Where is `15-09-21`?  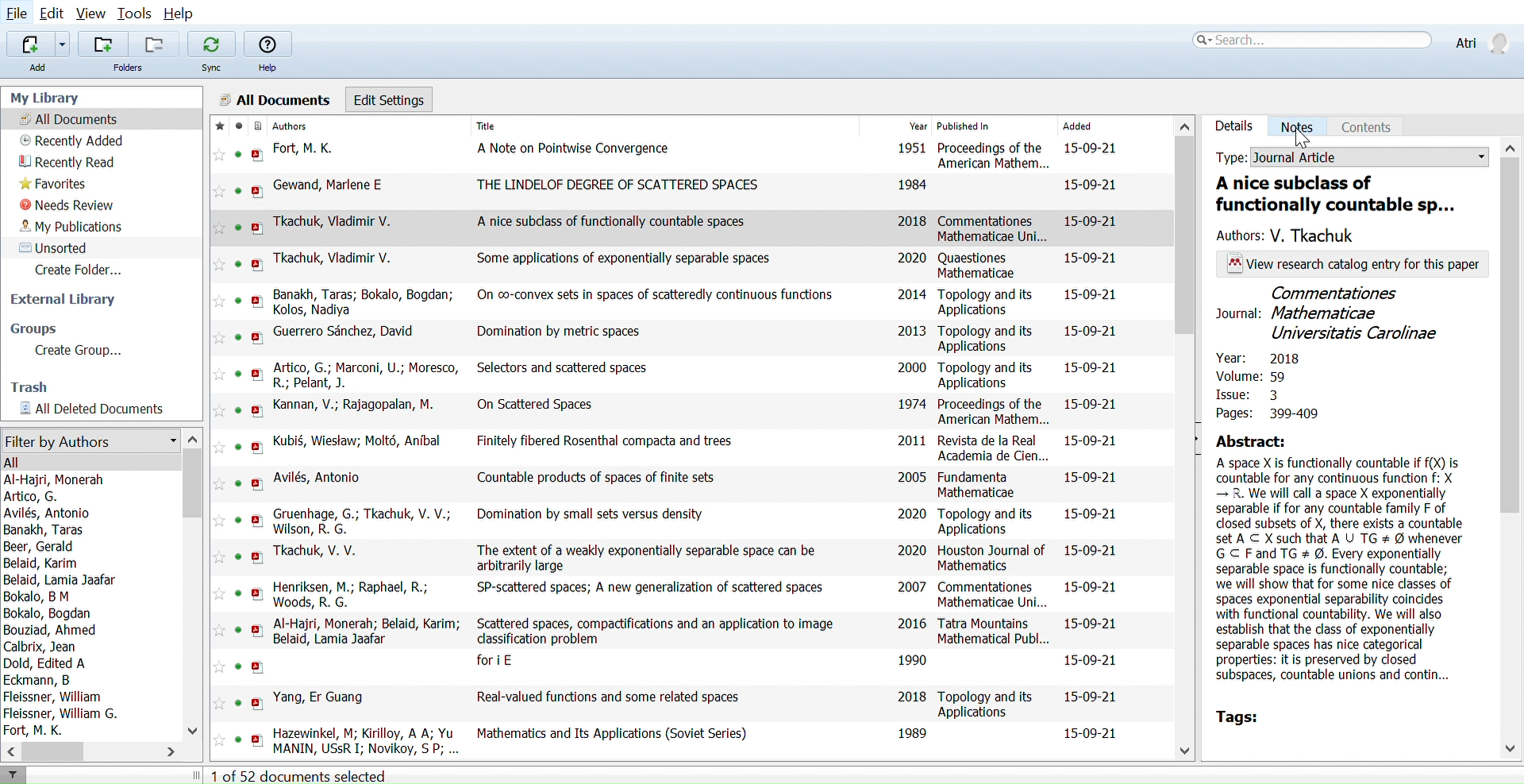 15-09-21 is located at coordinates (1090, 367).